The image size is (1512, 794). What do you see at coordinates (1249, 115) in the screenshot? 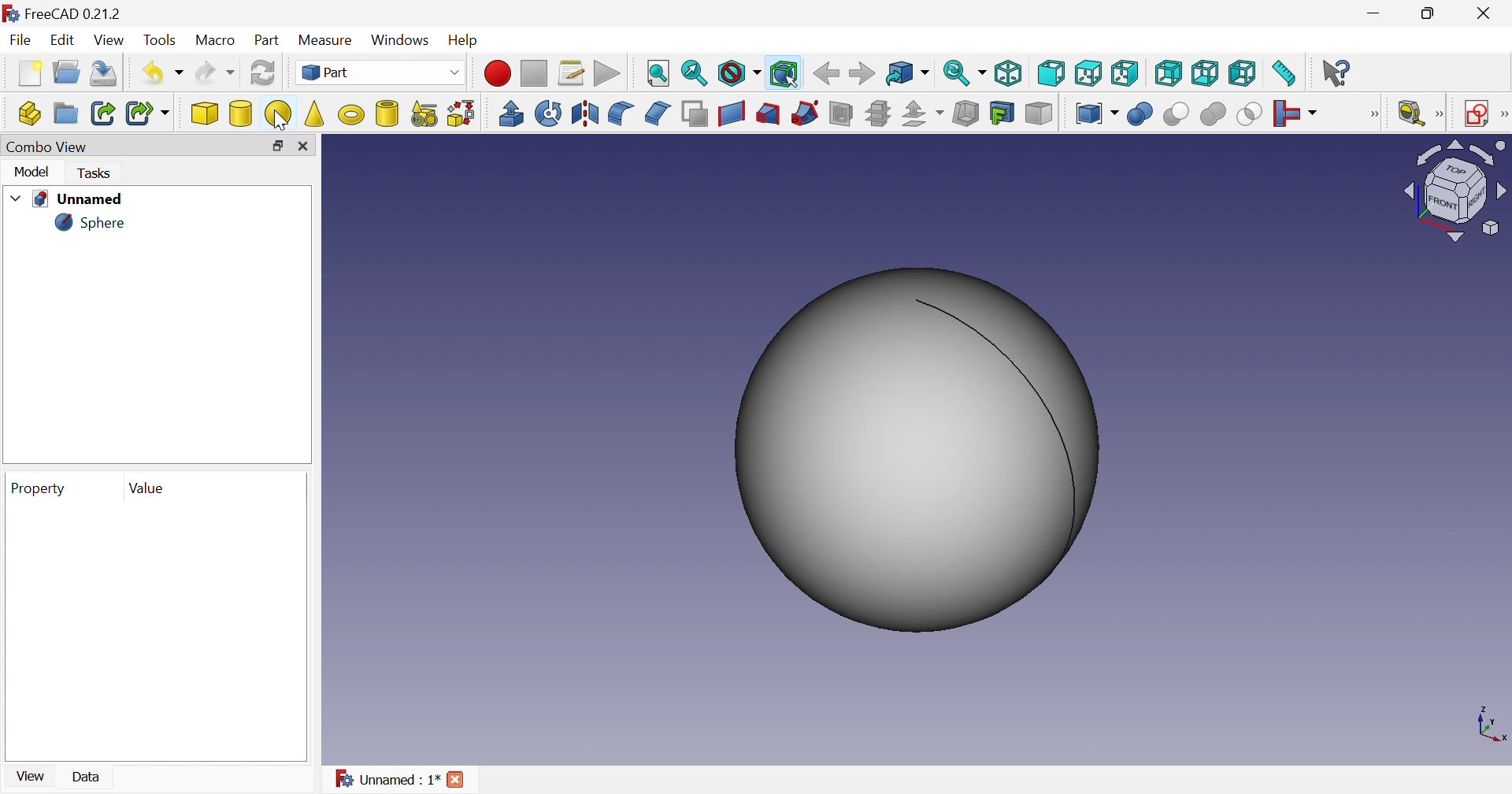
I see `Intersection` at bounding box center [1249, 115].